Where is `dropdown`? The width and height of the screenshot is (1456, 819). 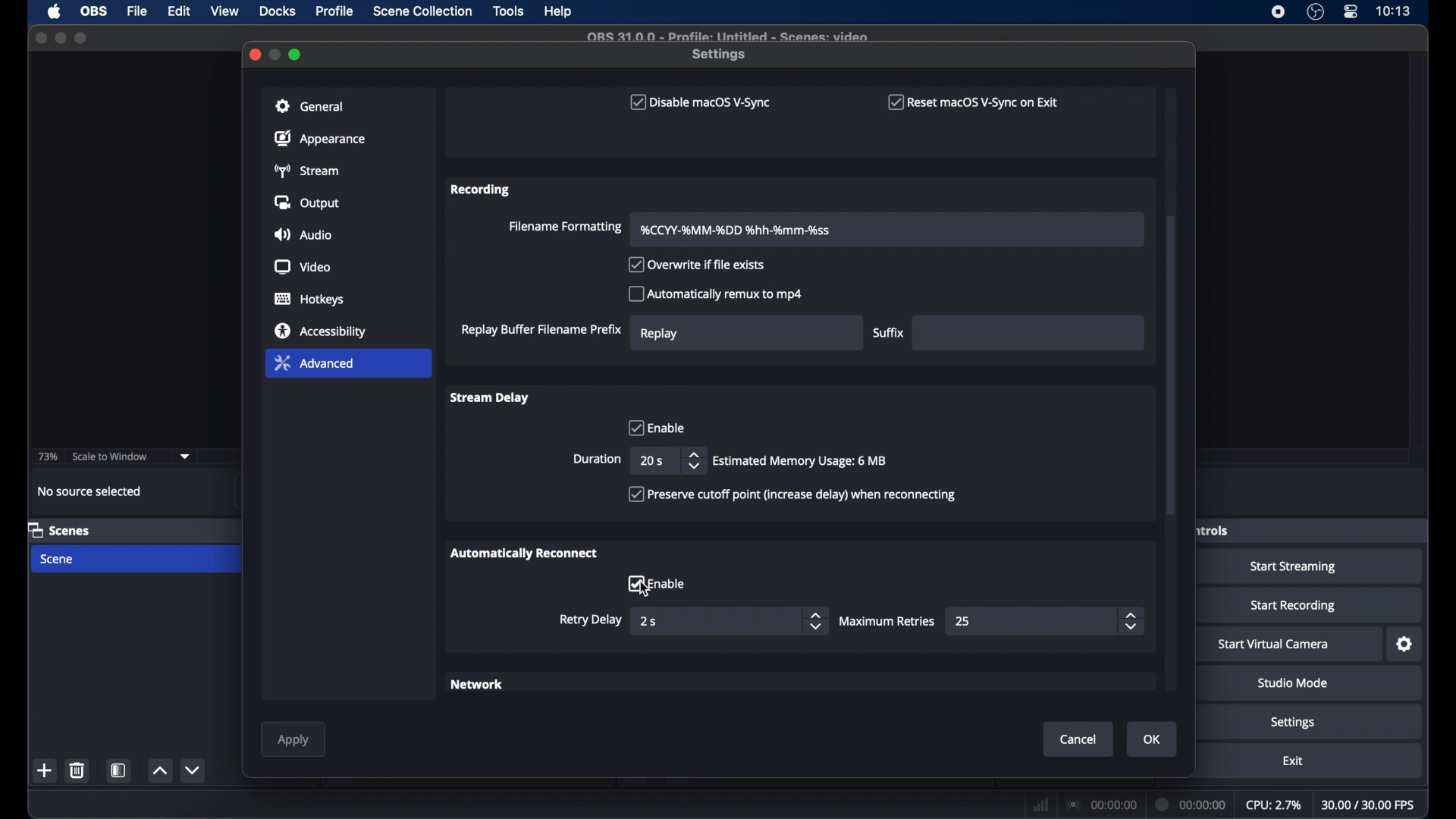
dropdown is located at coordinates (185, 457).